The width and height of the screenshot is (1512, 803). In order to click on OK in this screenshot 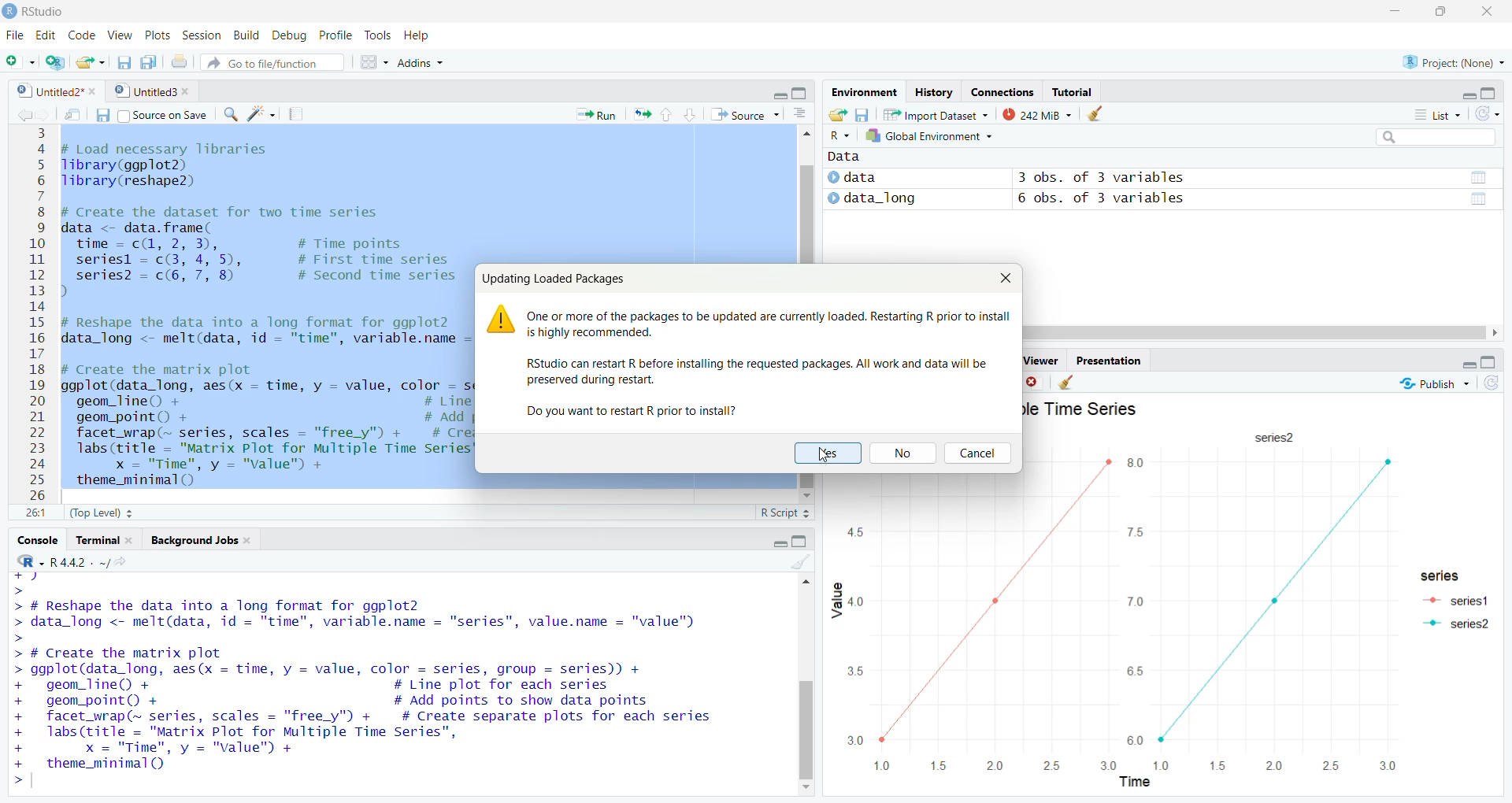, I will do `click(827, 453)`.